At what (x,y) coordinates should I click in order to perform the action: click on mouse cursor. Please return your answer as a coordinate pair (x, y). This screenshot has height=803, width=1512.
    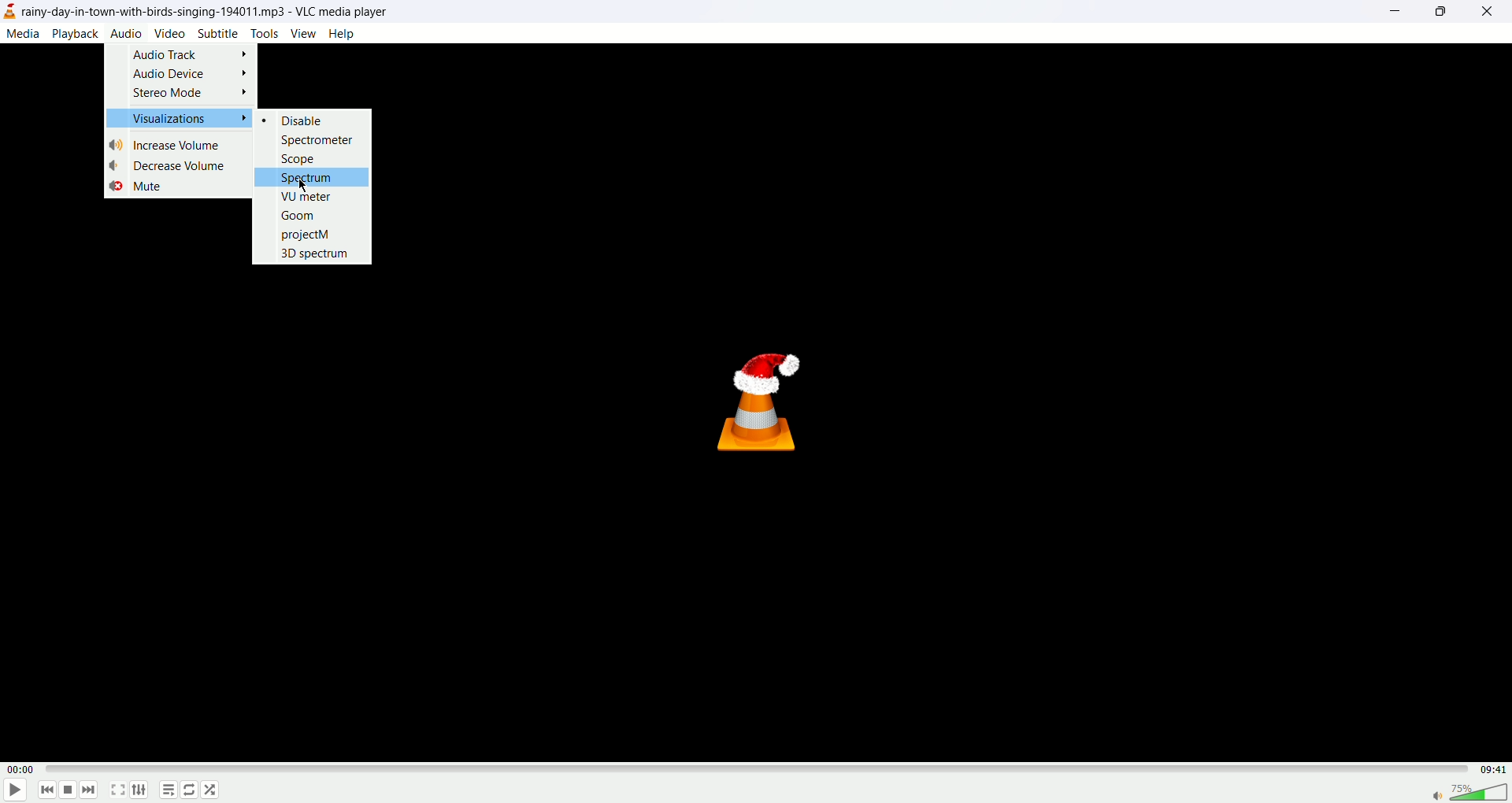
    Looking at the image, I should click on (303, 183).